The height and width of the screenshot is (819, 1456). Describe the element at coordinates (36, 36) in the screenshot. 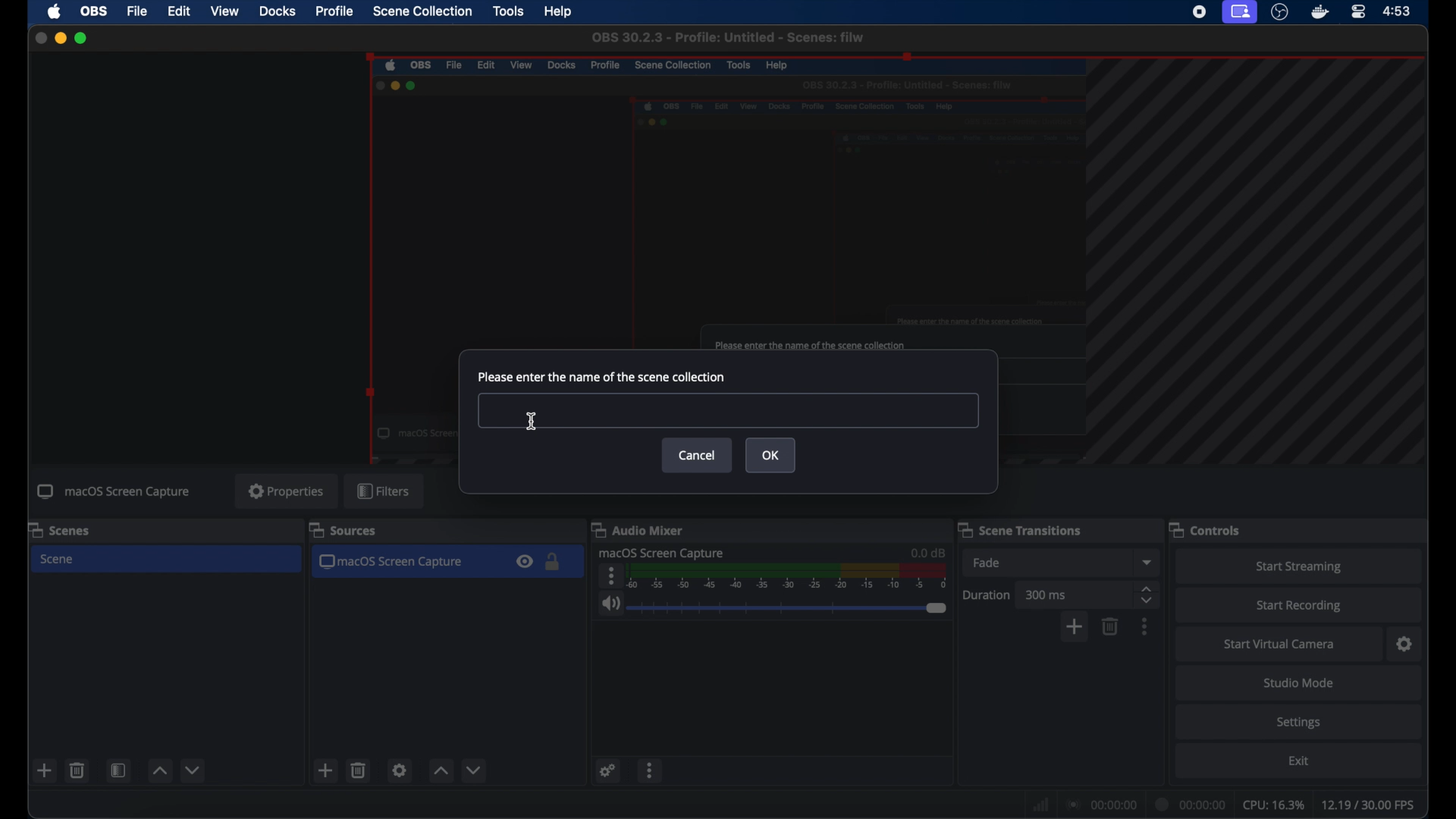

I see `close` at that location.